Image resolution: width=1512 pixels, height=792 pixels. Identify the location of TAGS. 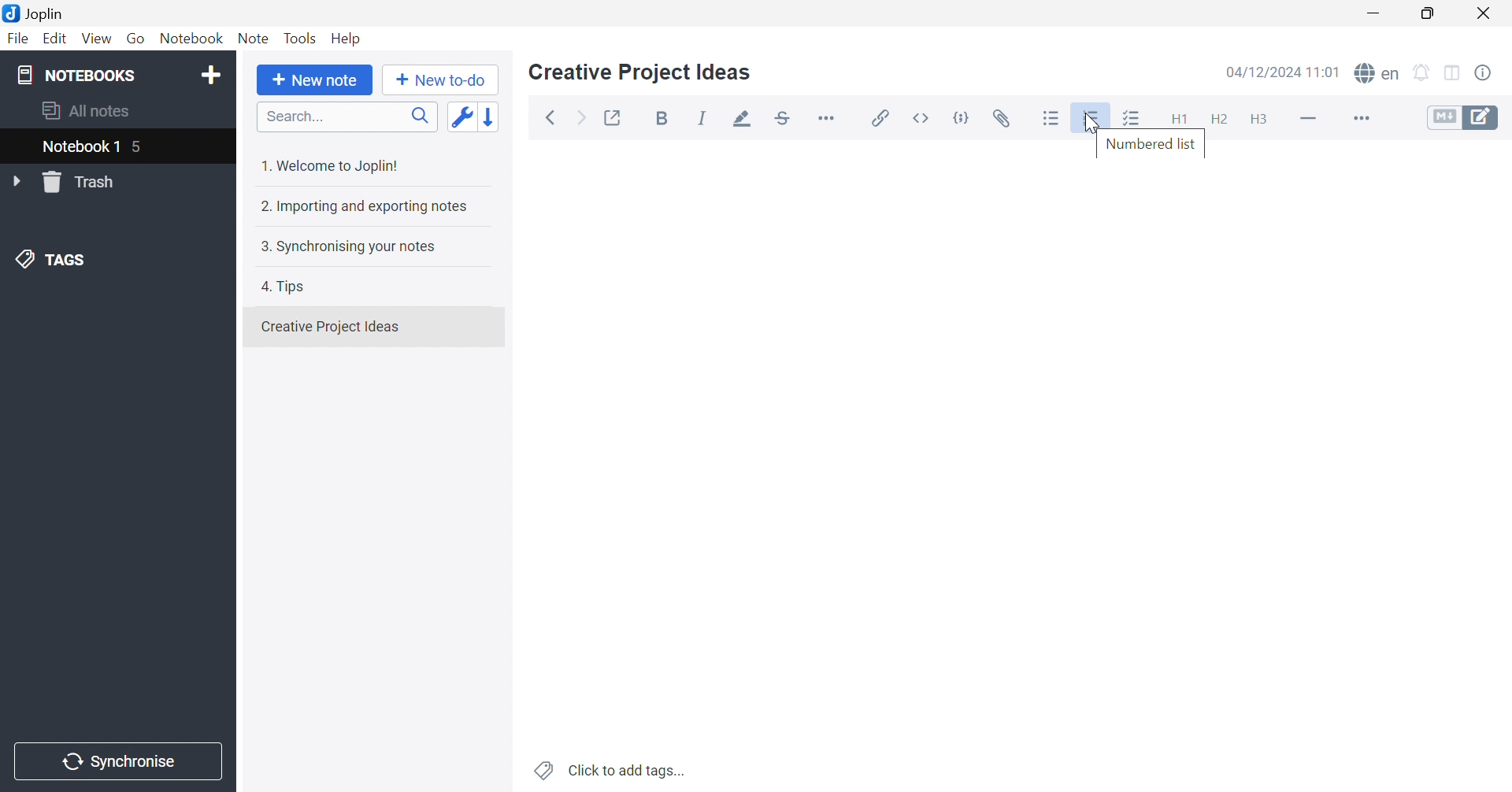
(51, 261).